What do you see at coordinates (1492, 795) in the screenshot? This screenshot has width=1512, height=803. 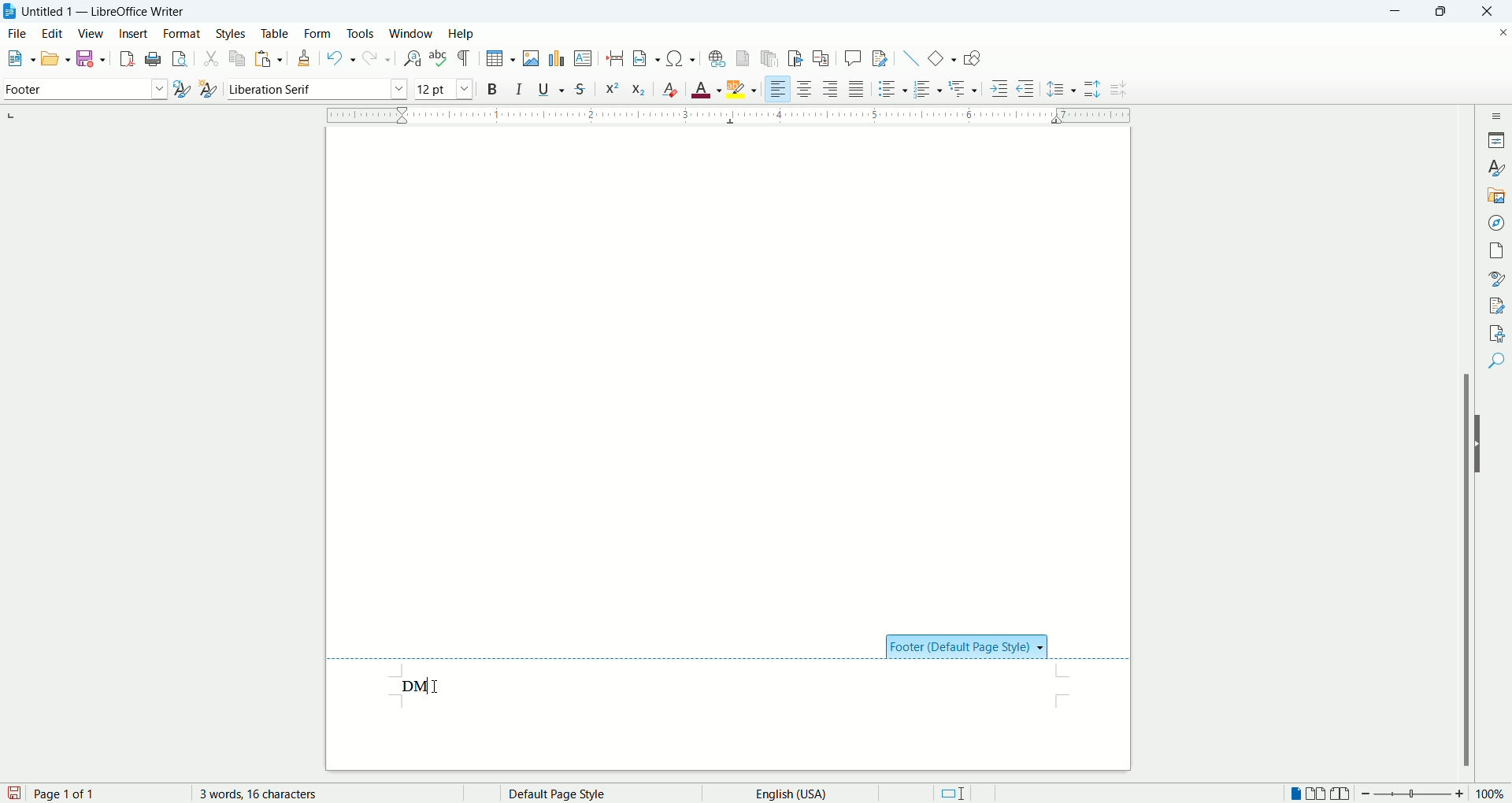 I see `zoom percent` at bounding box center [1492, 795].